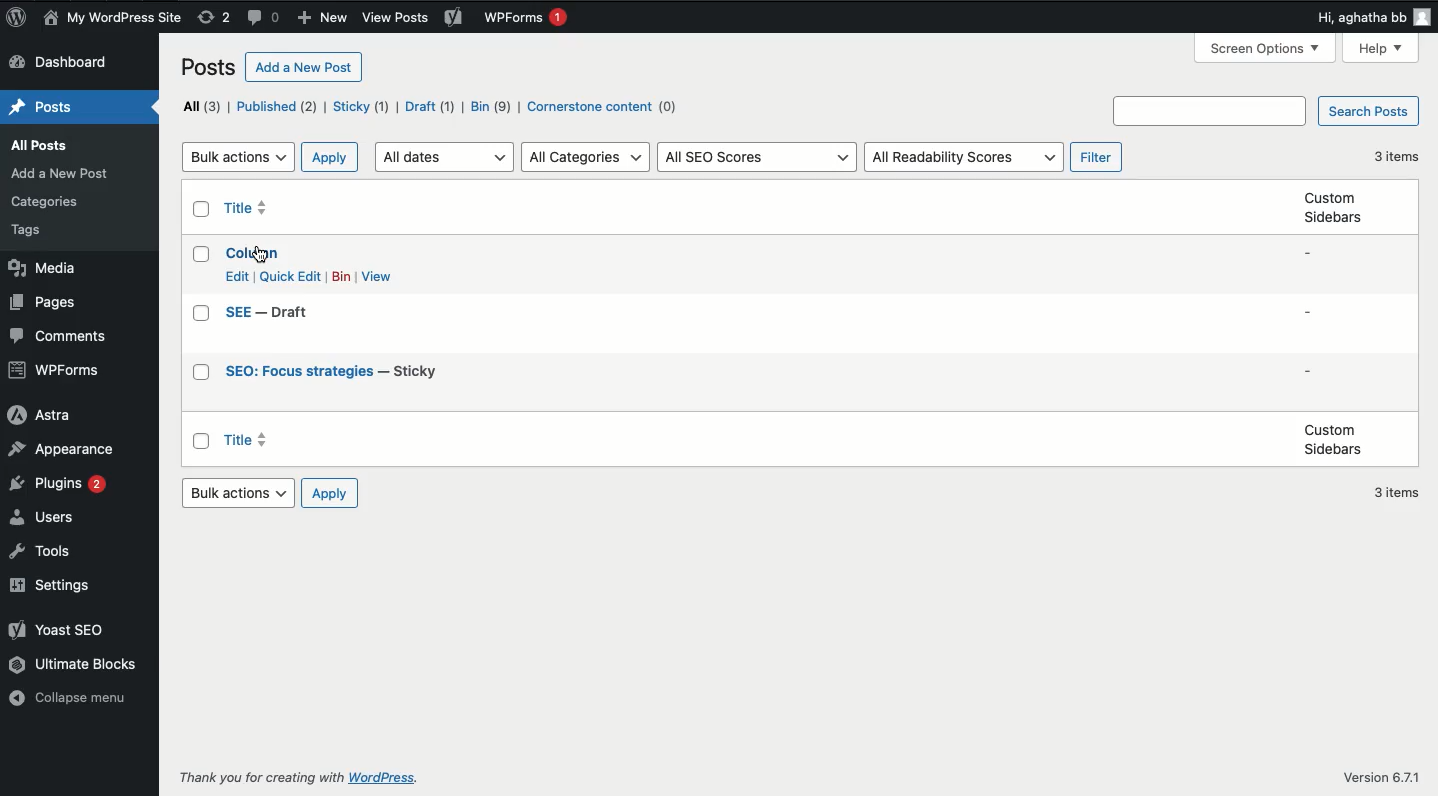  I want to click on Bulk actions, so click(239, 492).